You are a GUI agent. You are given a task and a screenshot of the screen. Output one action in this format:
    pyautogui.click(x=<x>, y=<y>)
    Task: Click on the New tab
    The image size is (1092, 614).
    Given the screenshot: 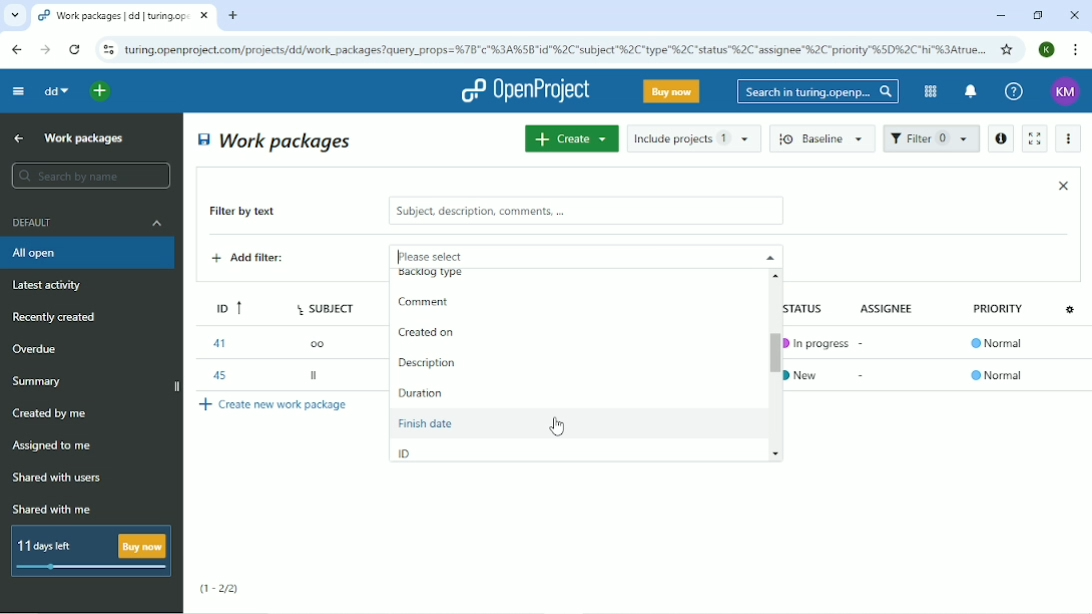 What is the action you would take?
    pyautogui.click(x=233, y=16)
    